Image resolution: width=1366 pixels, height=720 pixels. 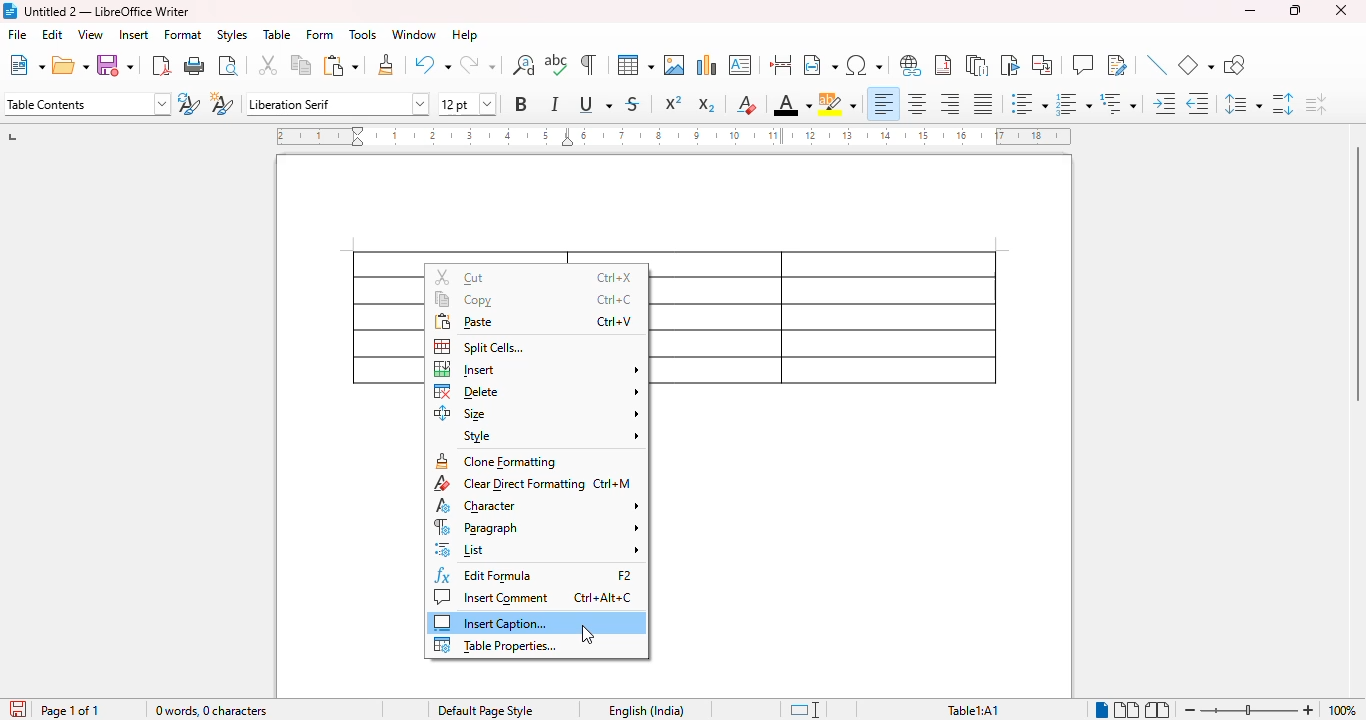 What do you see at coordinates (1157, 64) in the screenshot?
I see `insert line` at bounding box center [1157, 64].